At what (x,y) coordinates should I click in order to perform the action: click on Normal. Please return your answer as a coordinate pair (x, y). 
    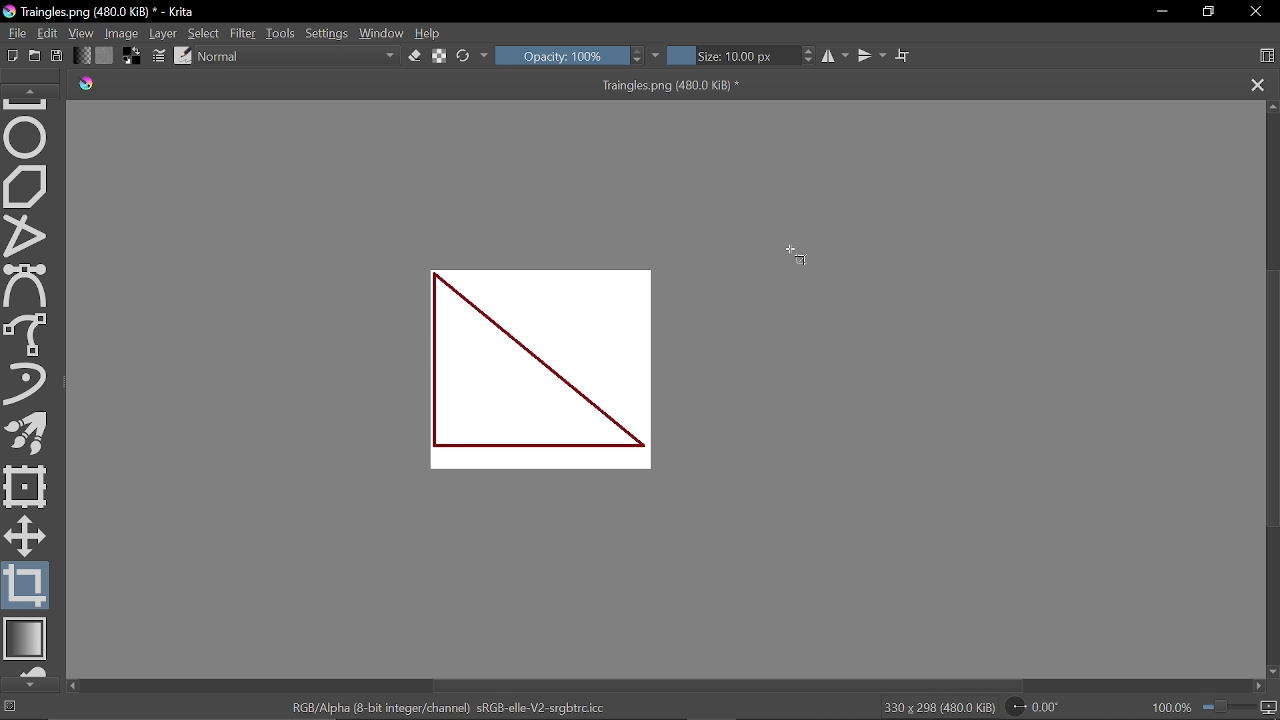
    Looking at the image, I should click on (299, 57).